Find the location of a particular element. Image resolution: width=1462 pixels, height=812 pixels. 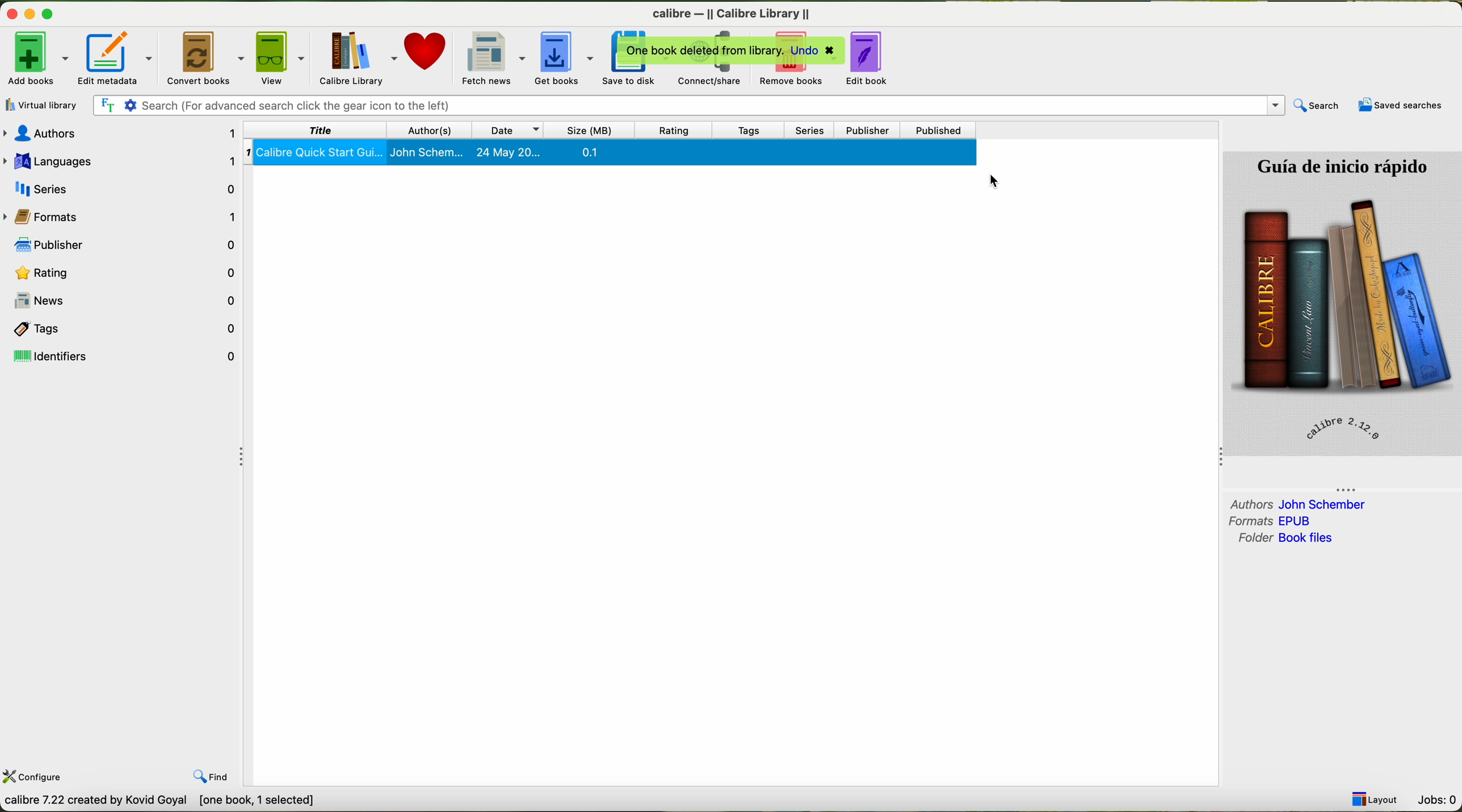

mouse is located at coordinates (996, 181).